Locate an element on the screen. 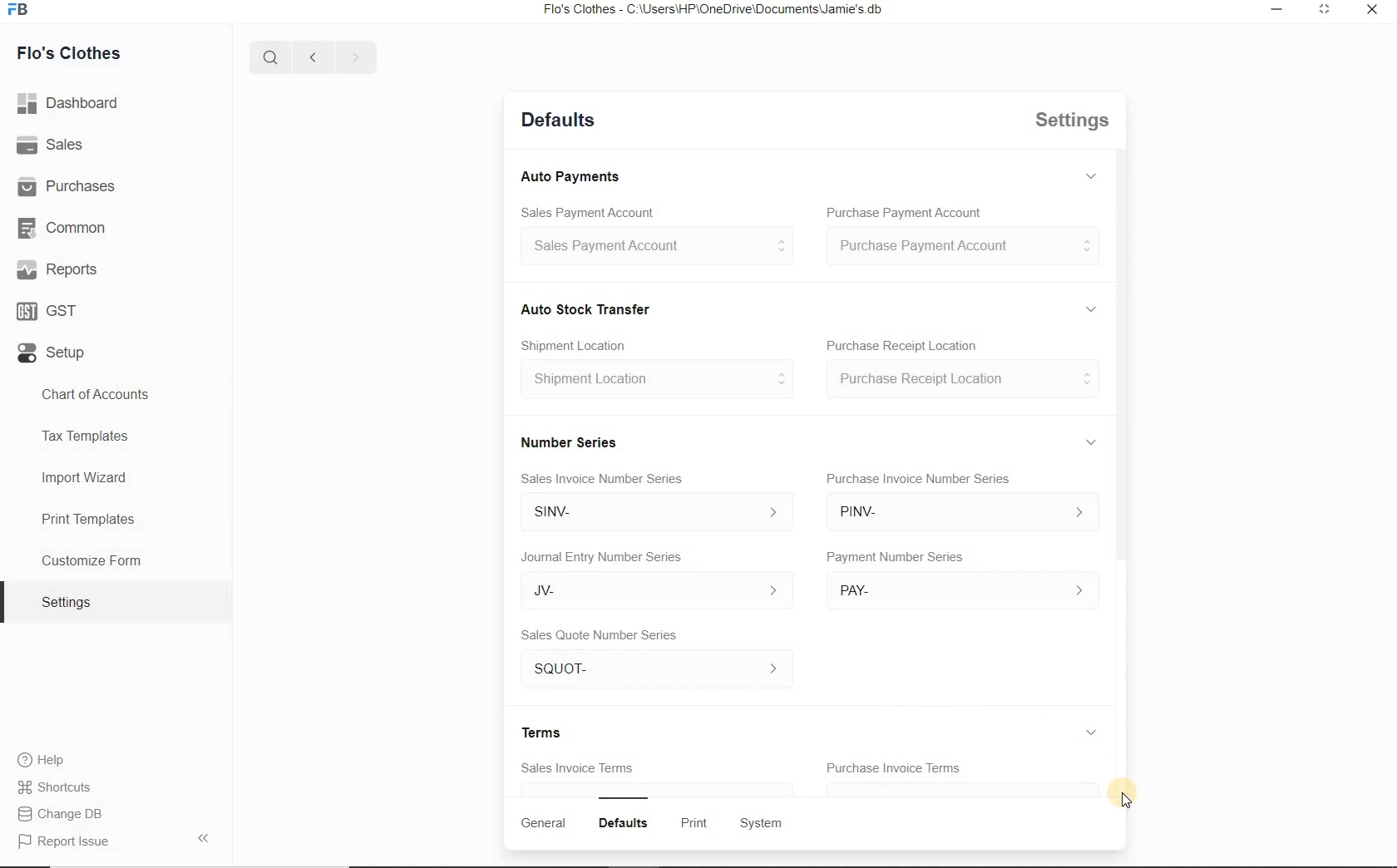 The height and width of the screenshot is (868, 1397). Number Series is located at coordinates (568, 441).